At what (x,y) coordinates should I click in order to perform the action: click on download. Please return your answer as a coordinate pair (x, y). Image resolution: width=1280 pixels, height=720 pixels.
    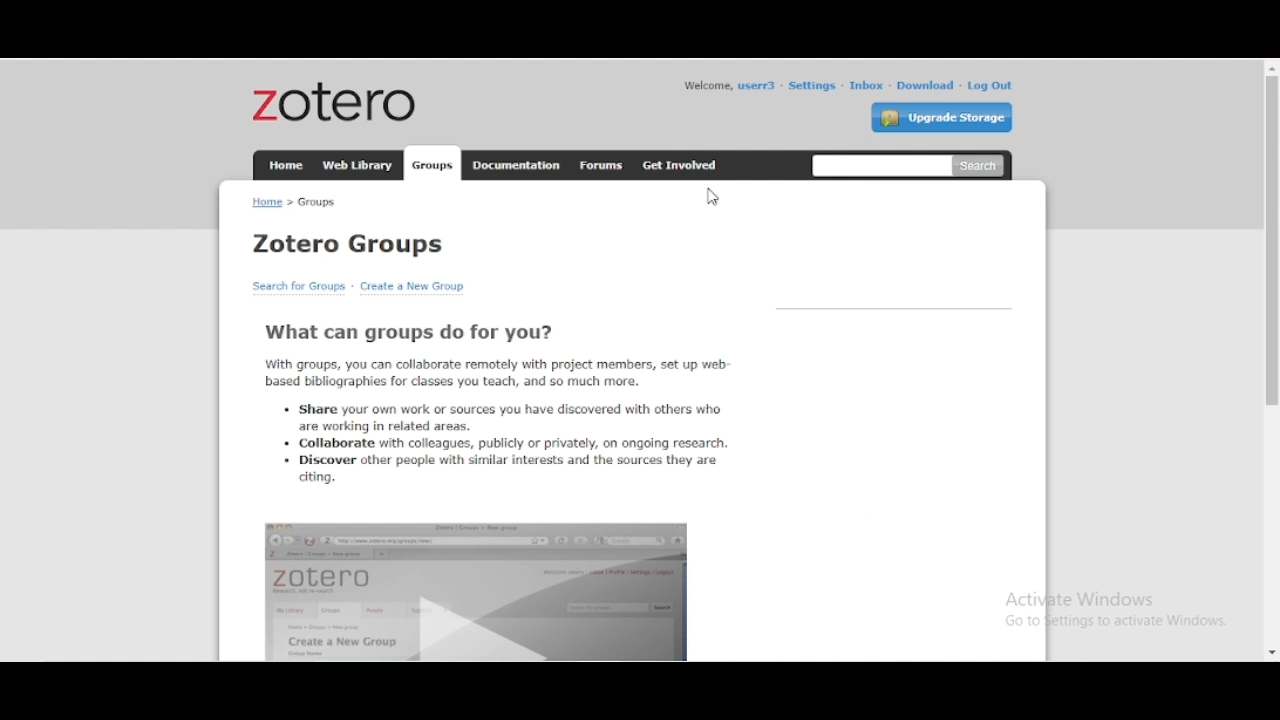
    Looking at the image, I should click on (926, 86).